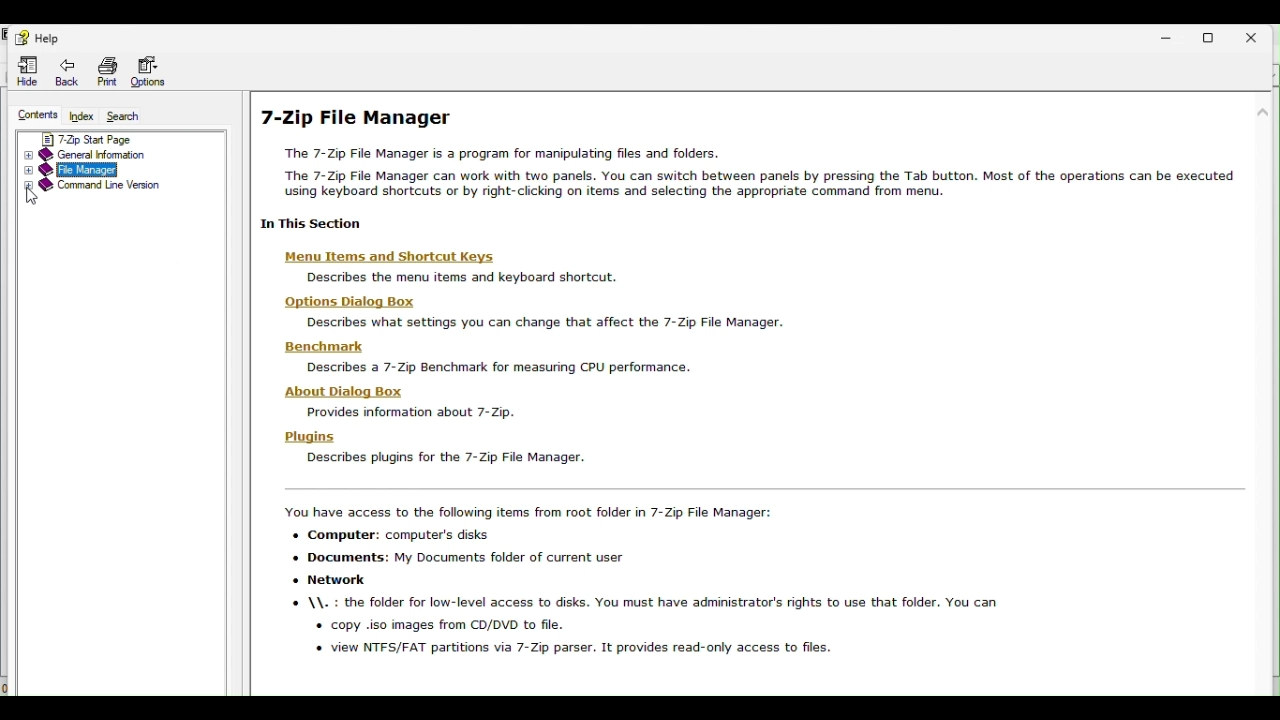 The width and height of the screenshot is (1280, 720). Describe the element at coordinates (497, 368) in the screenshot. I see `Describes a 7-Zip Benchmark for measuring CPU performance.` at that location.